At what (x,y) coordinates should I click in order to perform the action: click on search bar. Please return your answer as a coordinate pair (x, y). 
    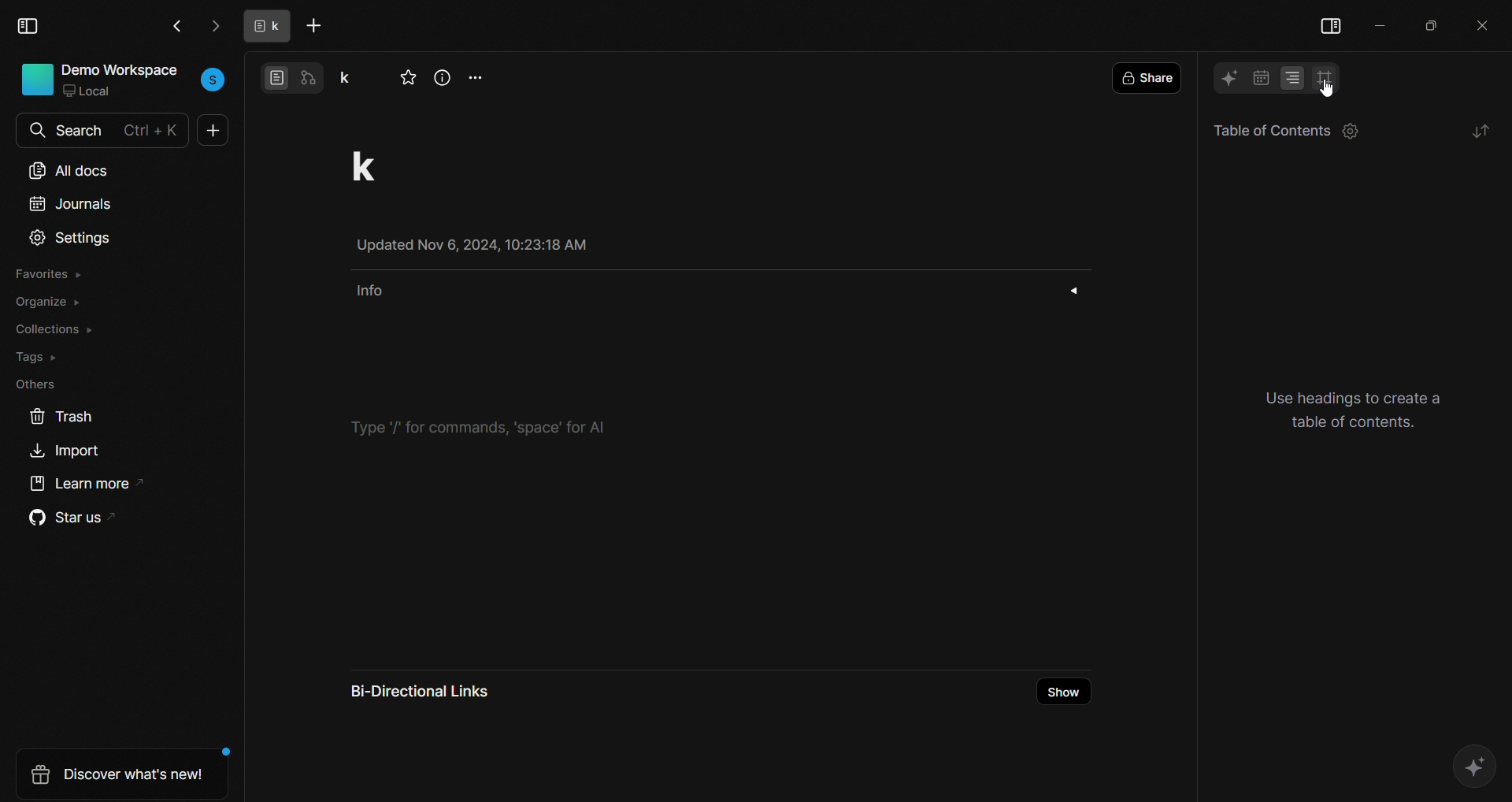
    Looking at the image, I should click on (115, 127).